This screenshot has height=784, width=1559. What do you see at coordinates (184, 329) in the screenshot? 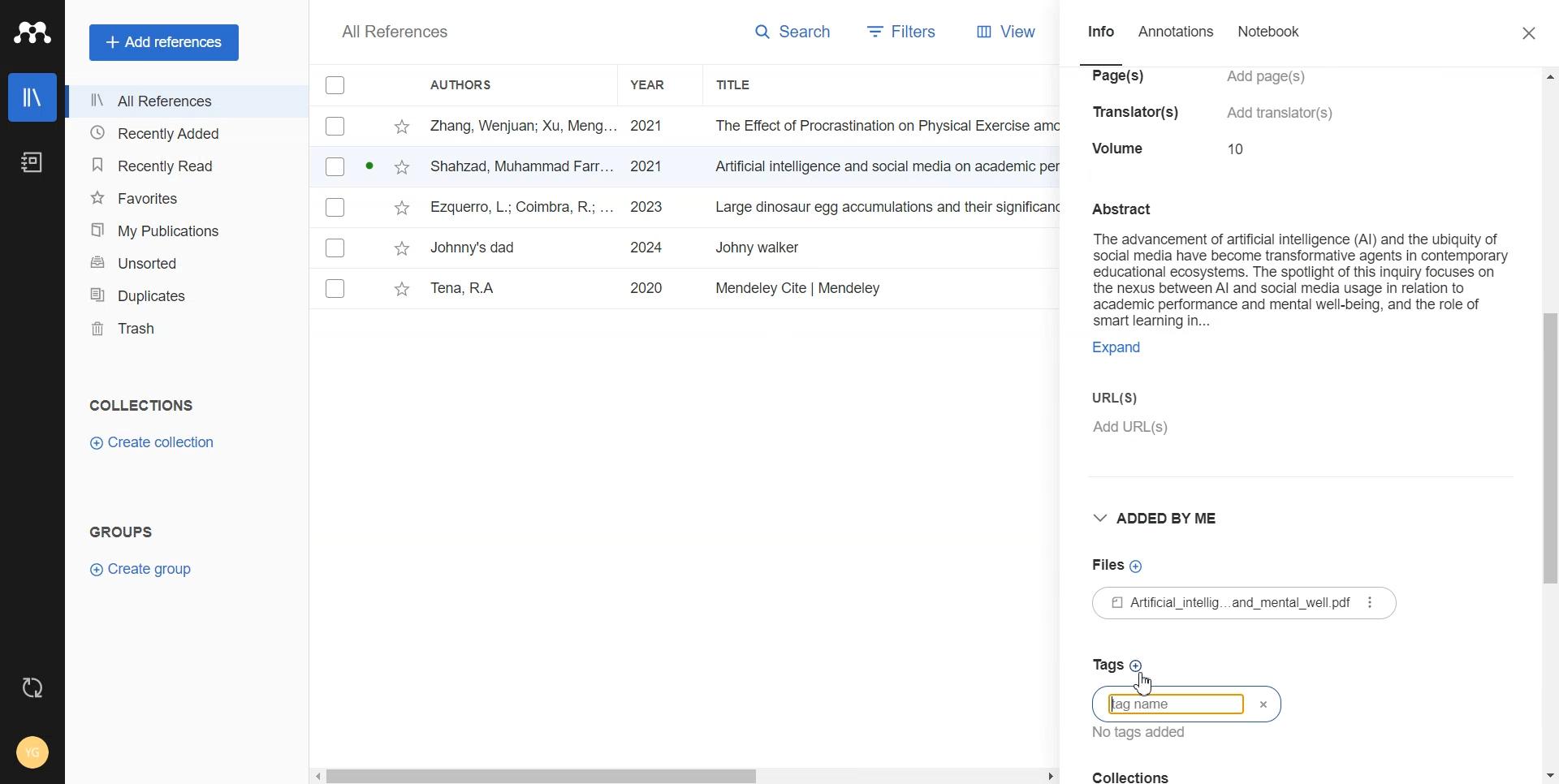
I see `Trash` at bounding box center [184, 329].